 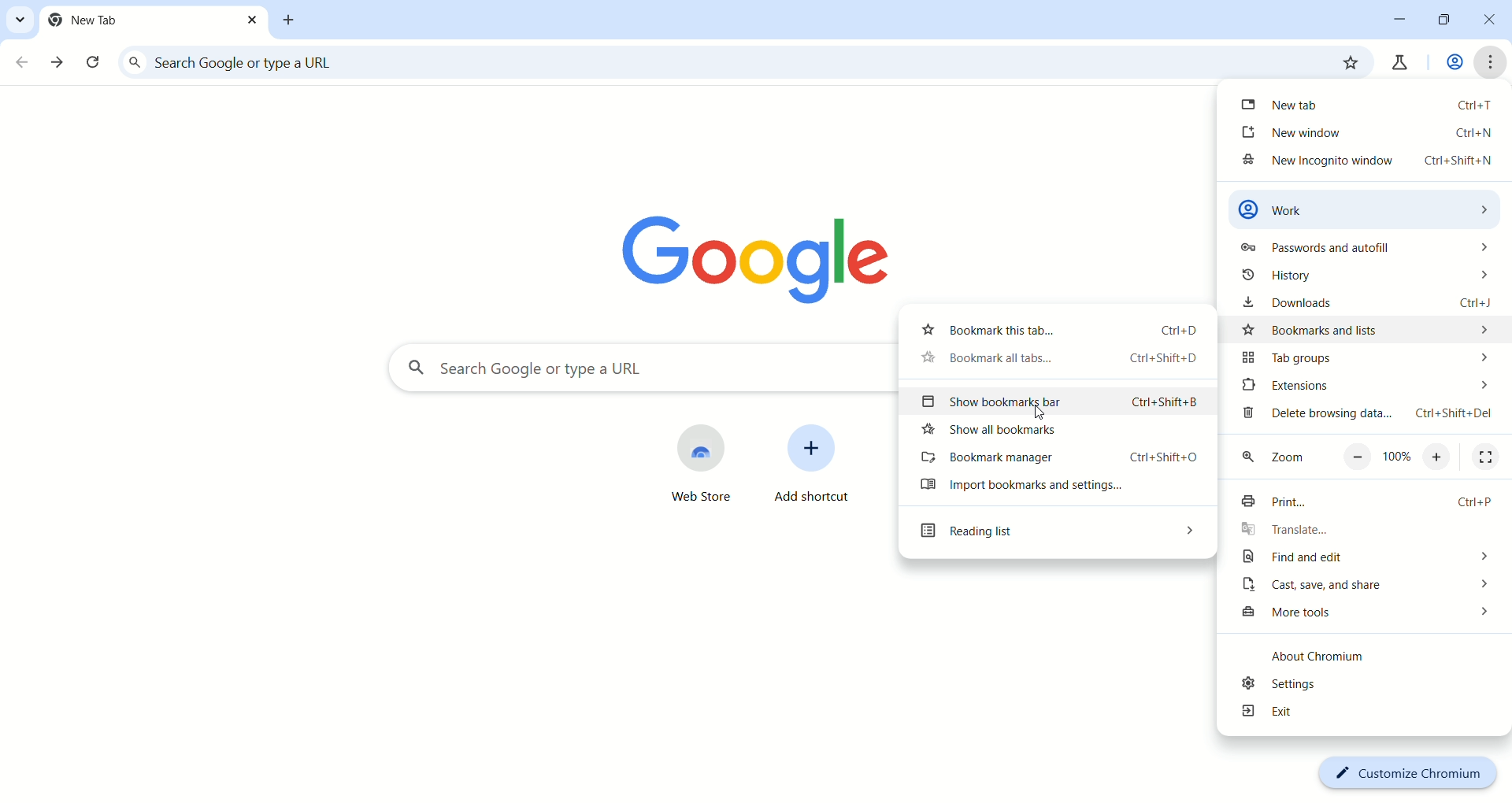 What do you see at coordinates (59, 63) in the screenshot?
I see `go forward` at bounding box center [59, 63].